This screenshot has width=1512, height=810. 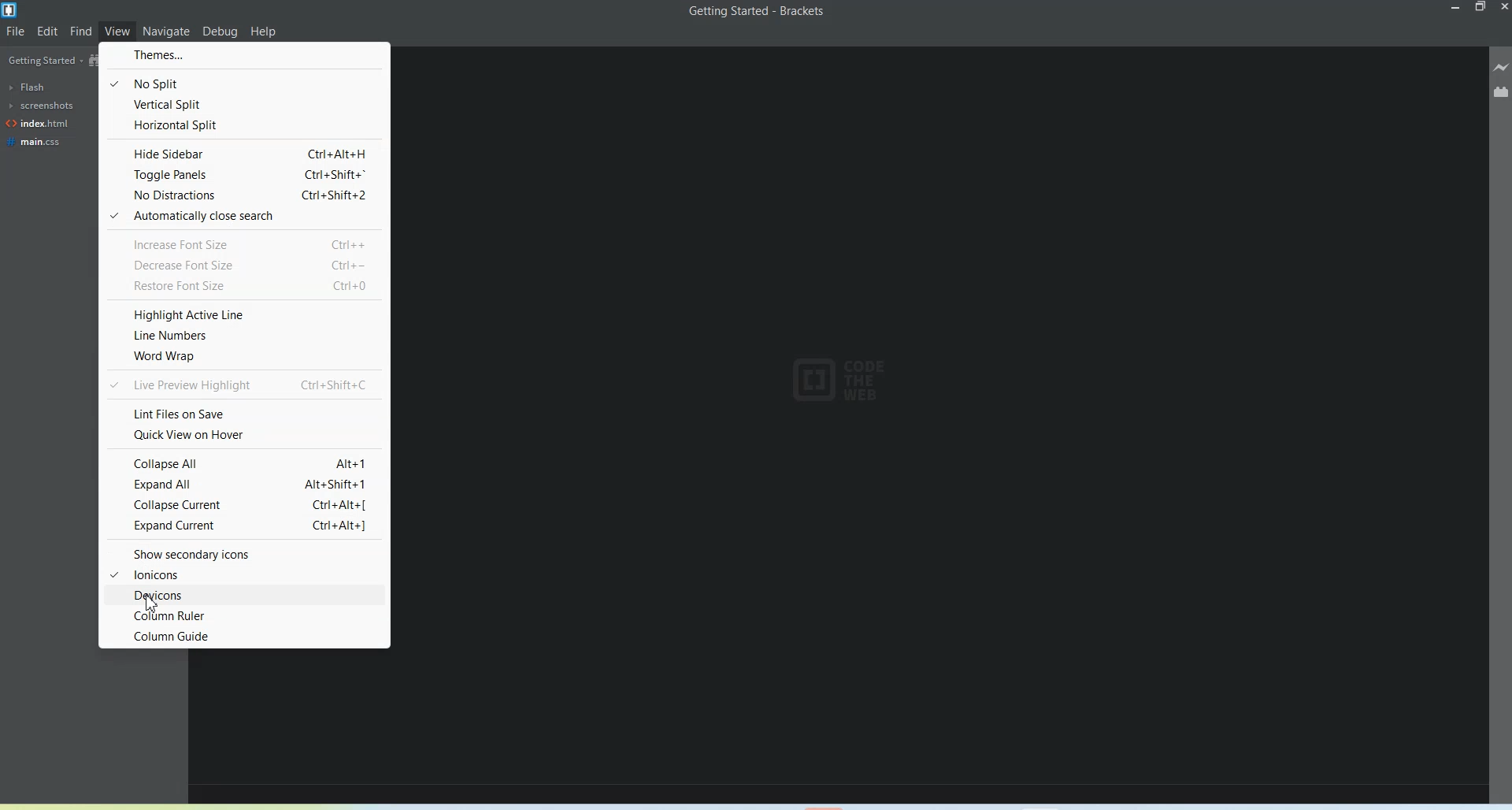 What do you see at coordinates (243, 504) in the screenshot?
I see `Collapse Current` at bounding box center [243, 504].